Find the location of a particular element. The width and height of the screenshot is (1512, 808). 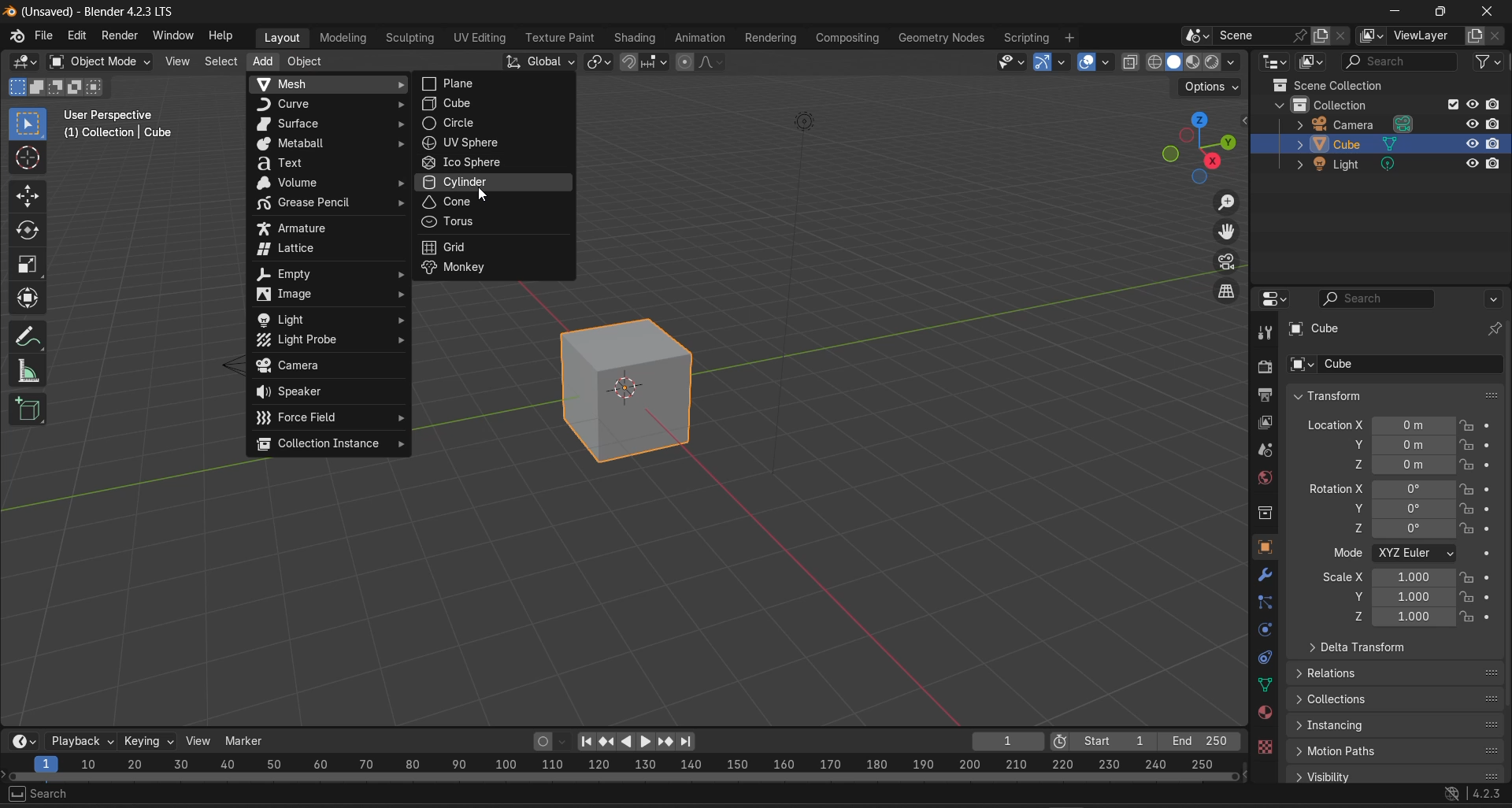

mode is located at coordinates (1347, 554).